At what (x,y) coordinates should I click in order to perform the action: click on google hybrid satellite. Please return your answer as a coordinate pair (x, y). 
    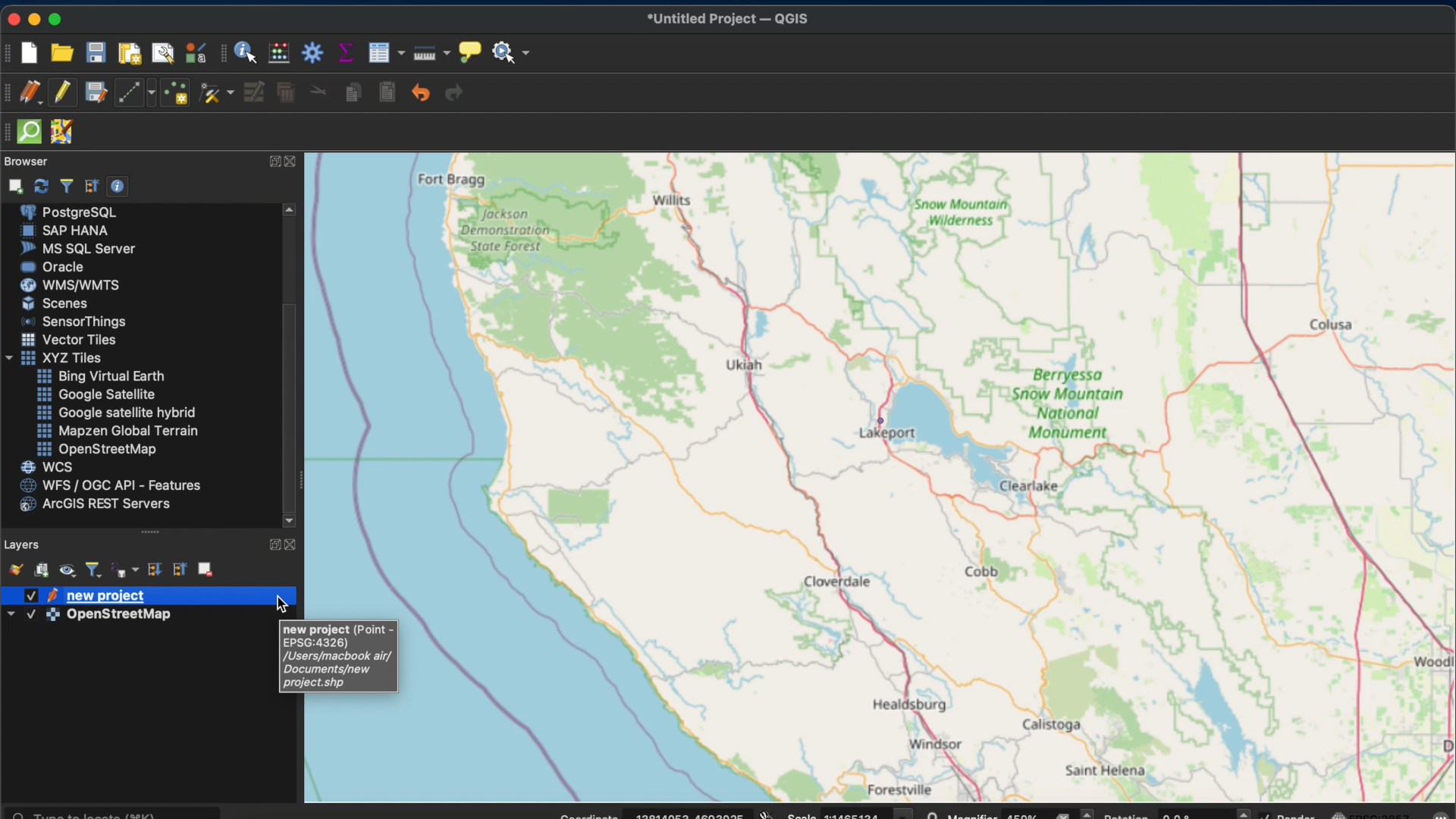
    Looking at the image, I should click on (118, 412).